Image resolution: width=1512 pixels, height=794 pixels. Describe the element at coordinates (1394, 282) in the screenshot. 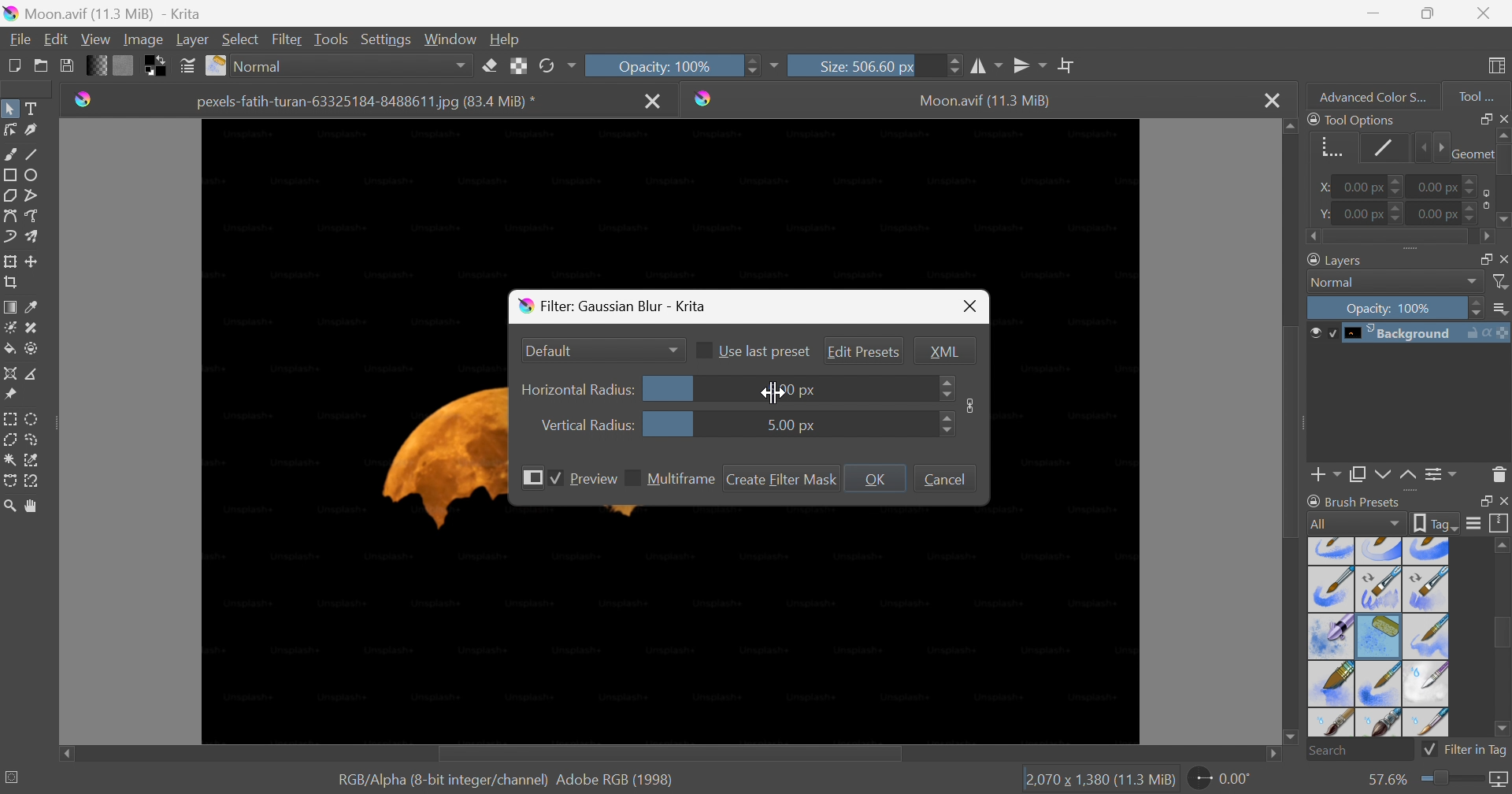

I see `Normal` at that location.